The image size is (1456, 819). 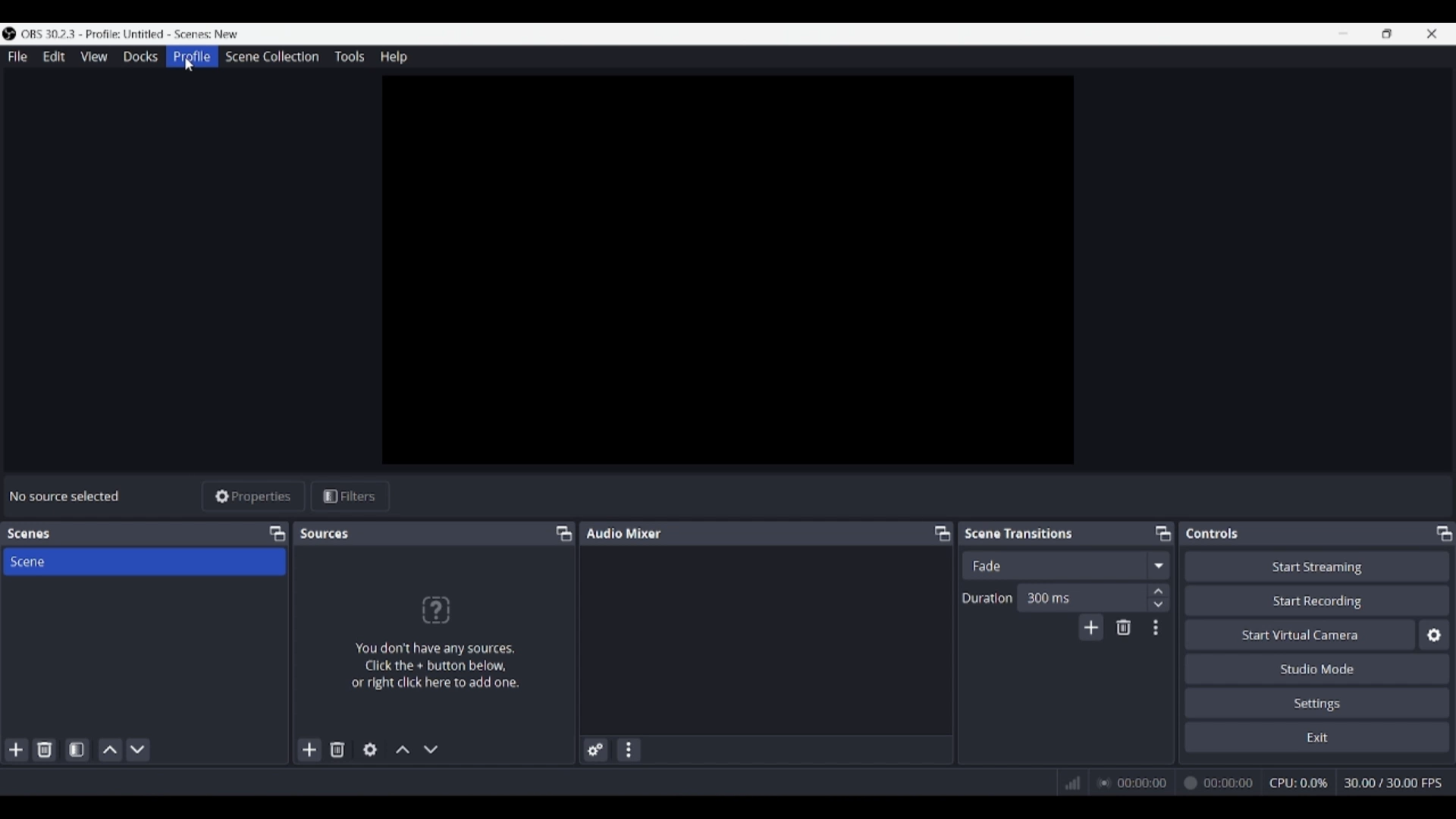 What do you see at coordinates (271, 56) in the screenshot?
I see `Scene collection menu` at bounding box center [271, 56].